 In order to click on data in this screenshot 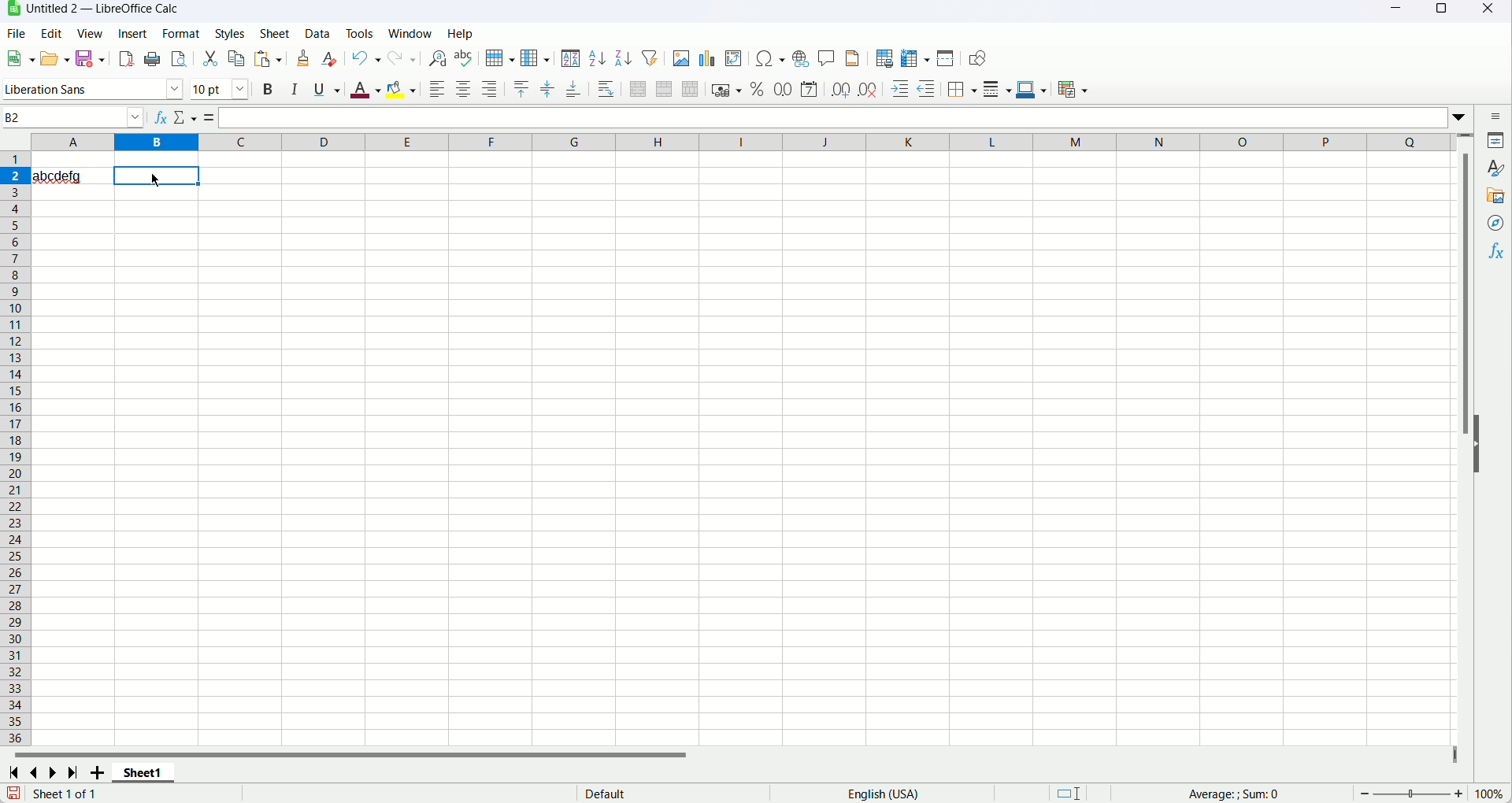, I will do `click(318, 34)`.